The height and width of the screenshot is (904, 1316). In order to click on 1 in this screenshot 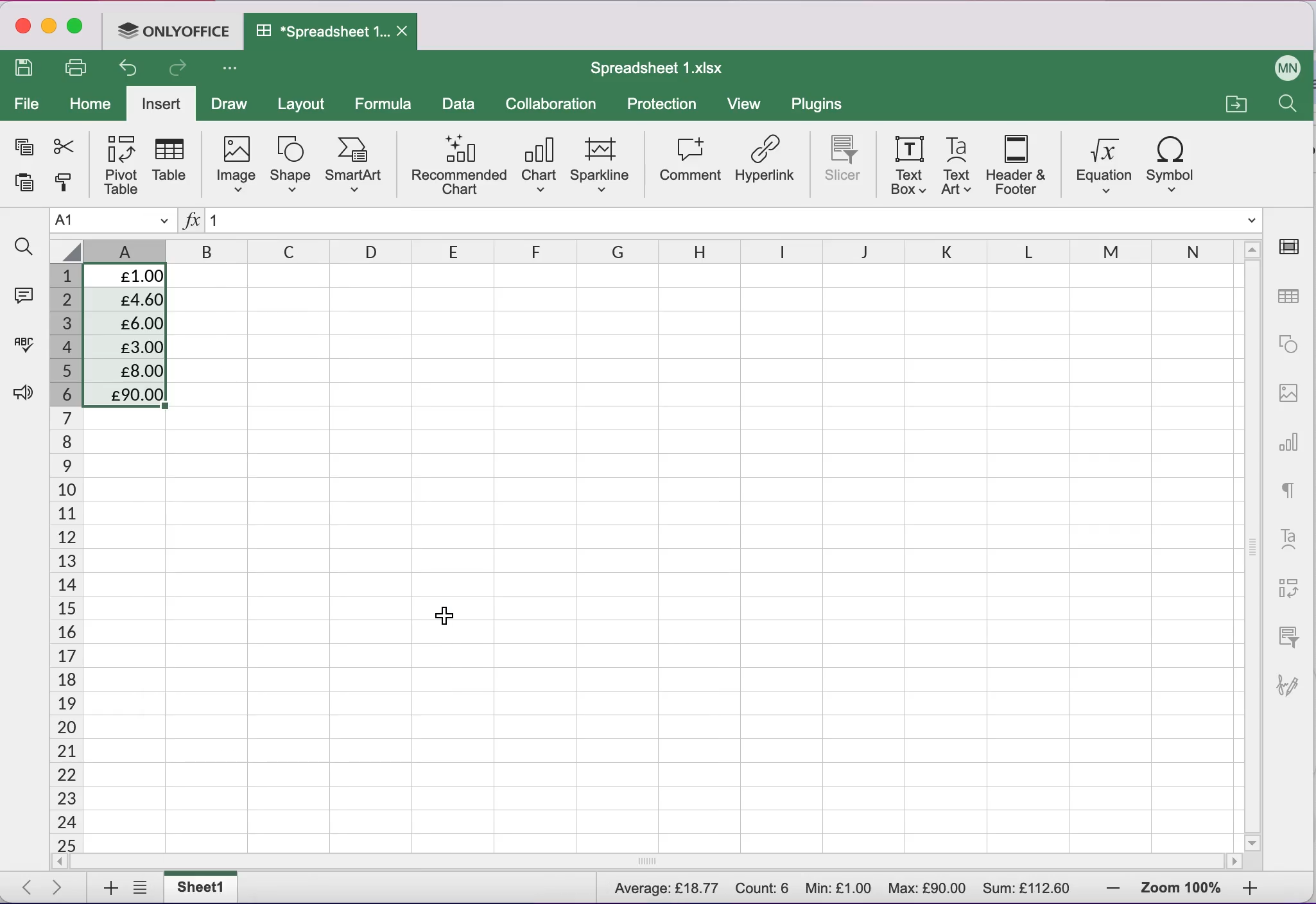, I will do `click(218, 220)`.